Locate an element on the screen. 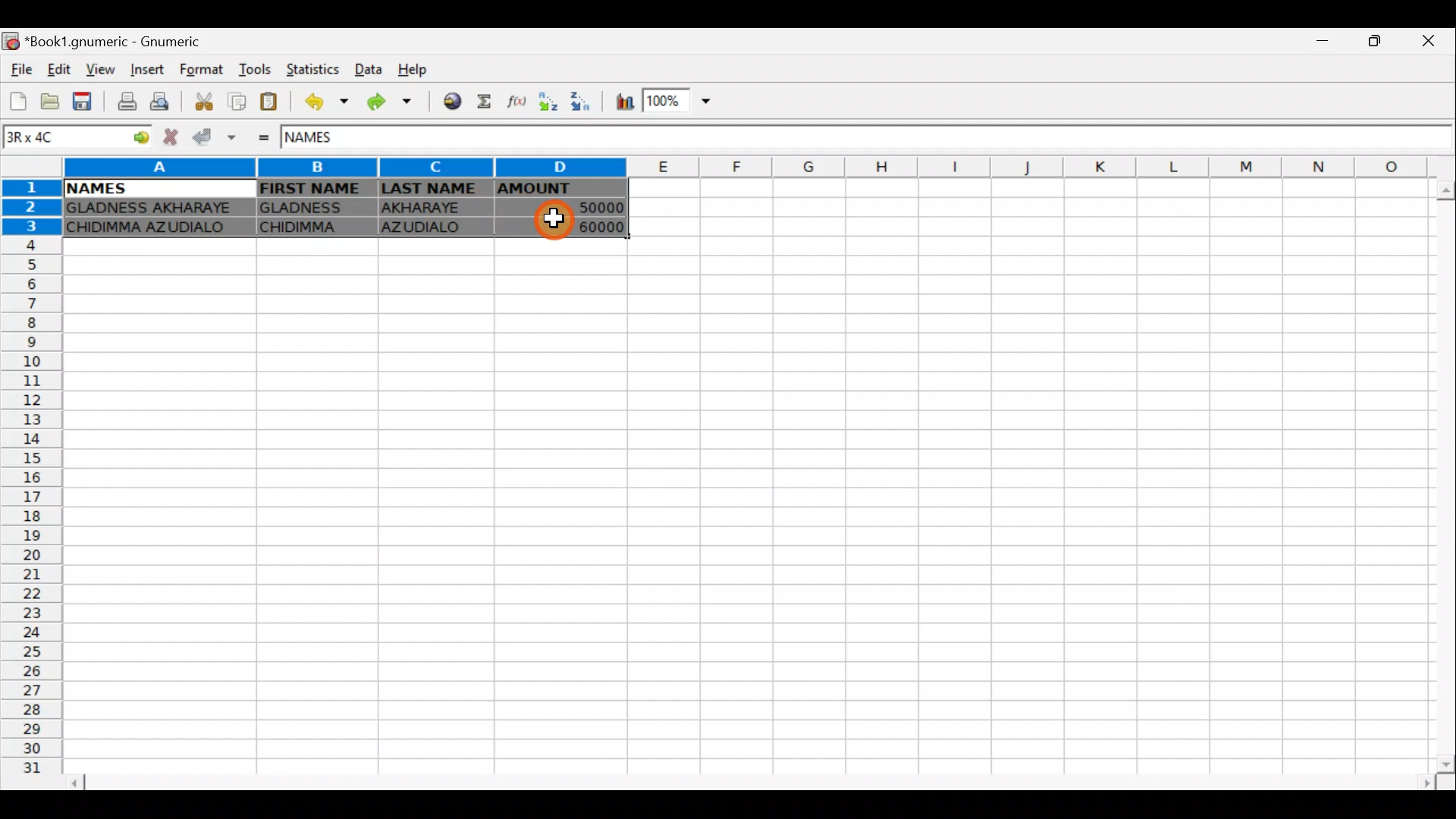 The image size is (1456, 819). Format is located at coordinates (206, 71).